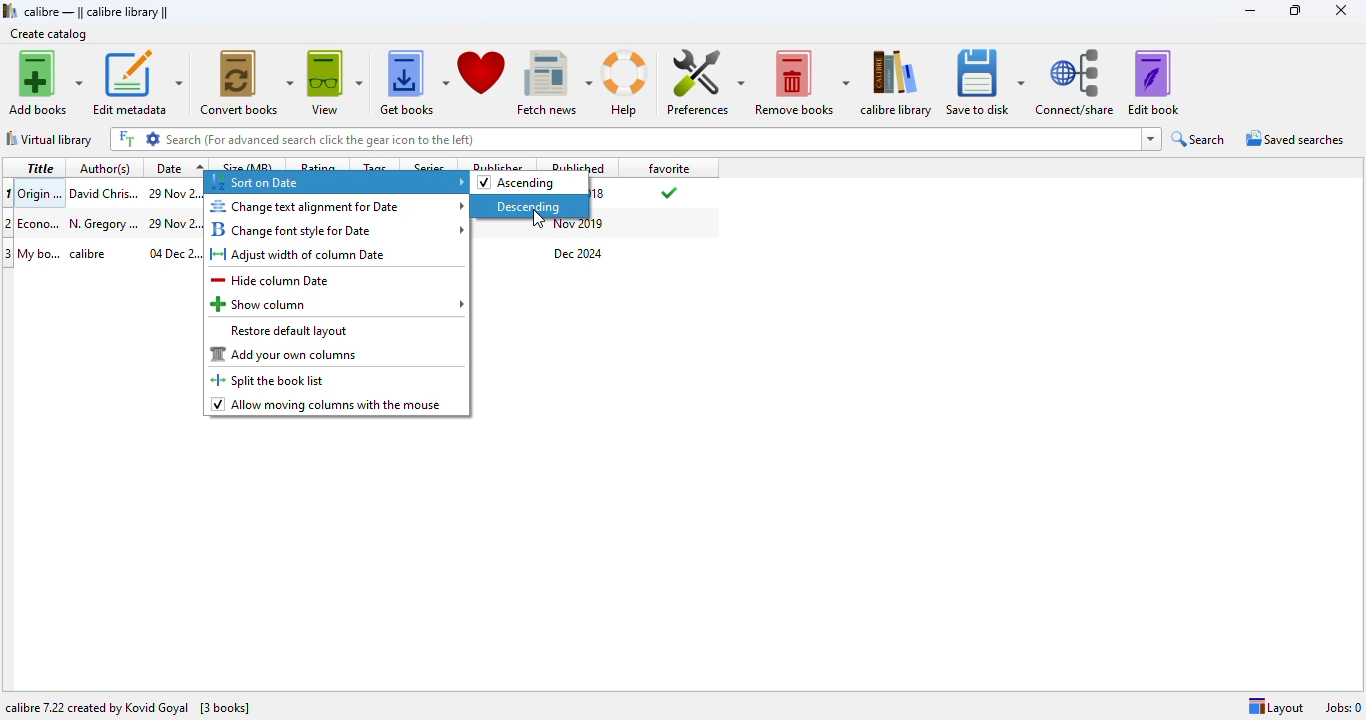 The height and width of the screenshot is (720, 1366). Describe the element at coordinates (1340, 10) in the screenshot. I see `close` at that location.